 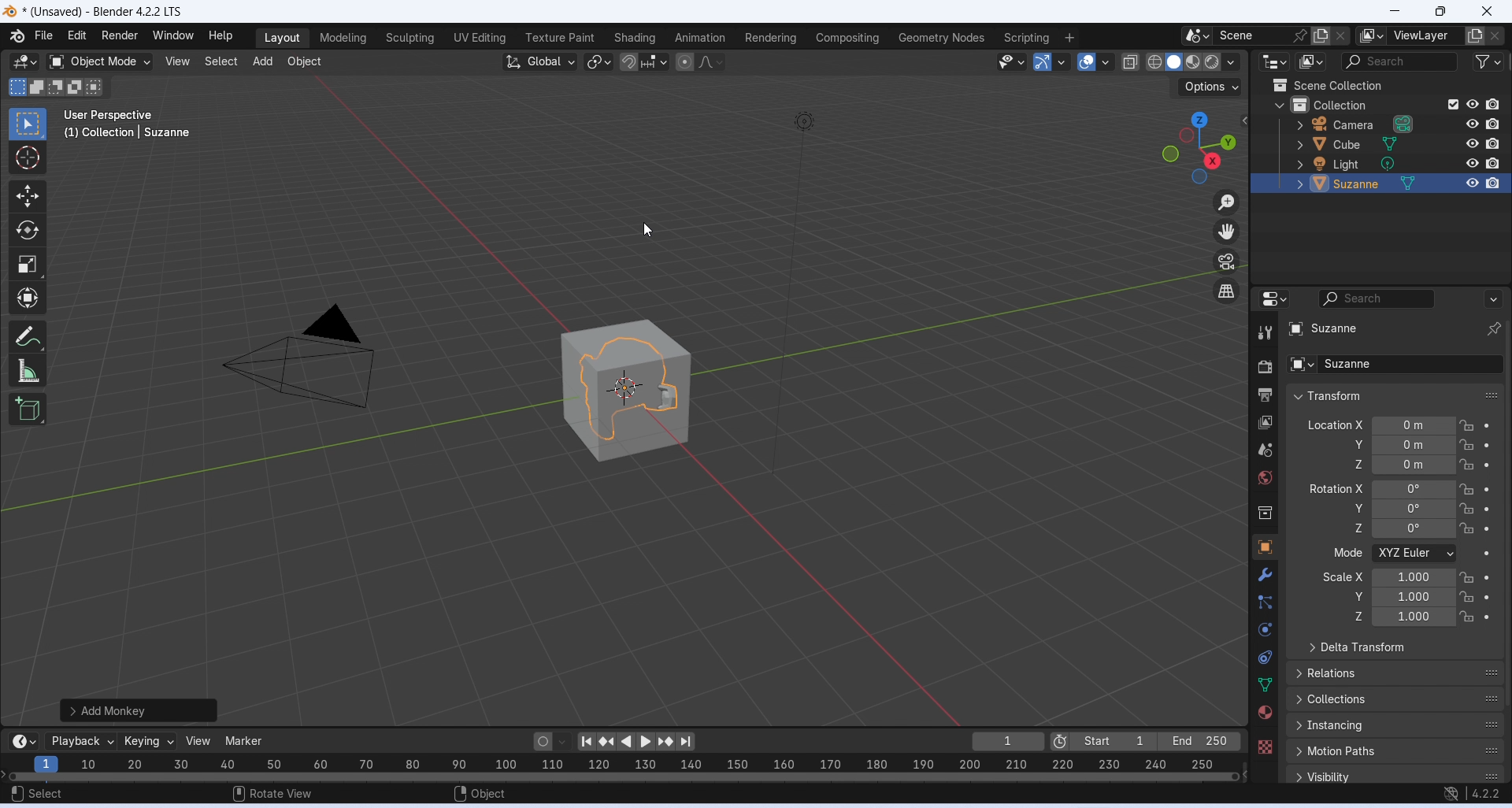 I want to click on * (Unsaved) - Blender 4.2.2 LTS, so click(x=102, y=13).